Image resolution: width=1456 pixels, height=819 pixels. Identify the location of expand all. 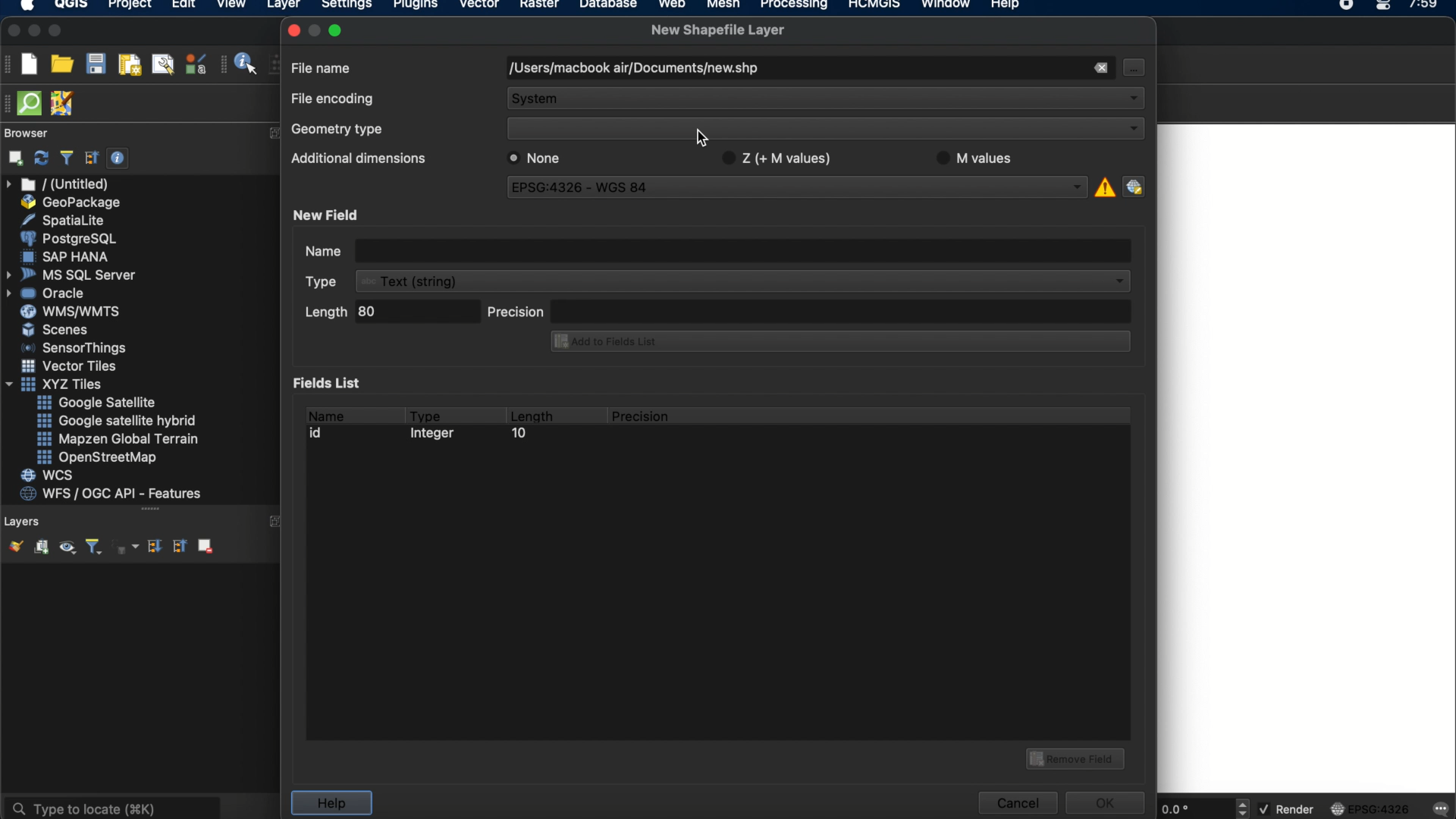
(152, 547).